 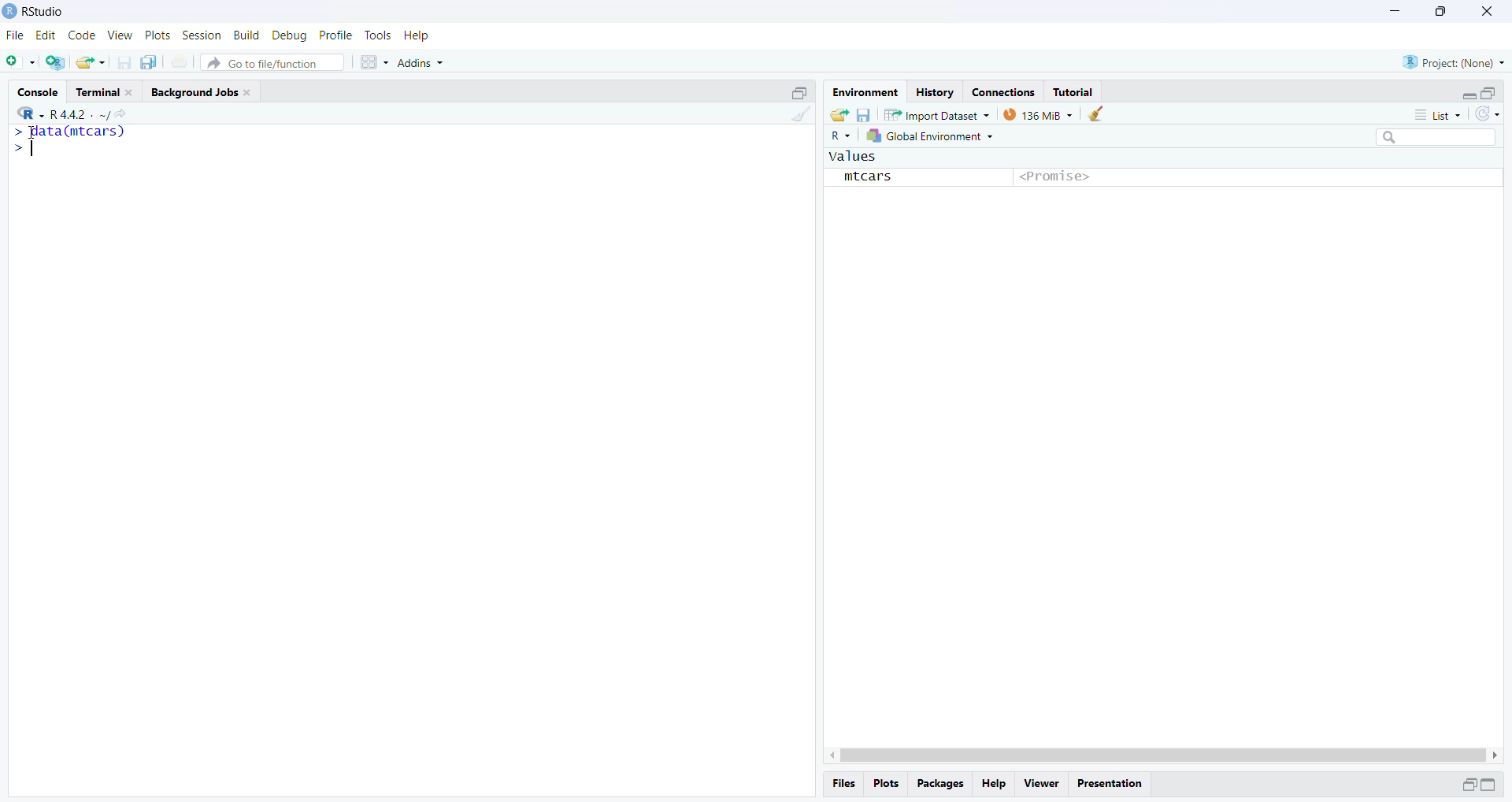 What do you see at coordinates (92, 62) in the screenshot?
I see `Open an existing file (Ctrl + O)` at bounding box center [92, 62].